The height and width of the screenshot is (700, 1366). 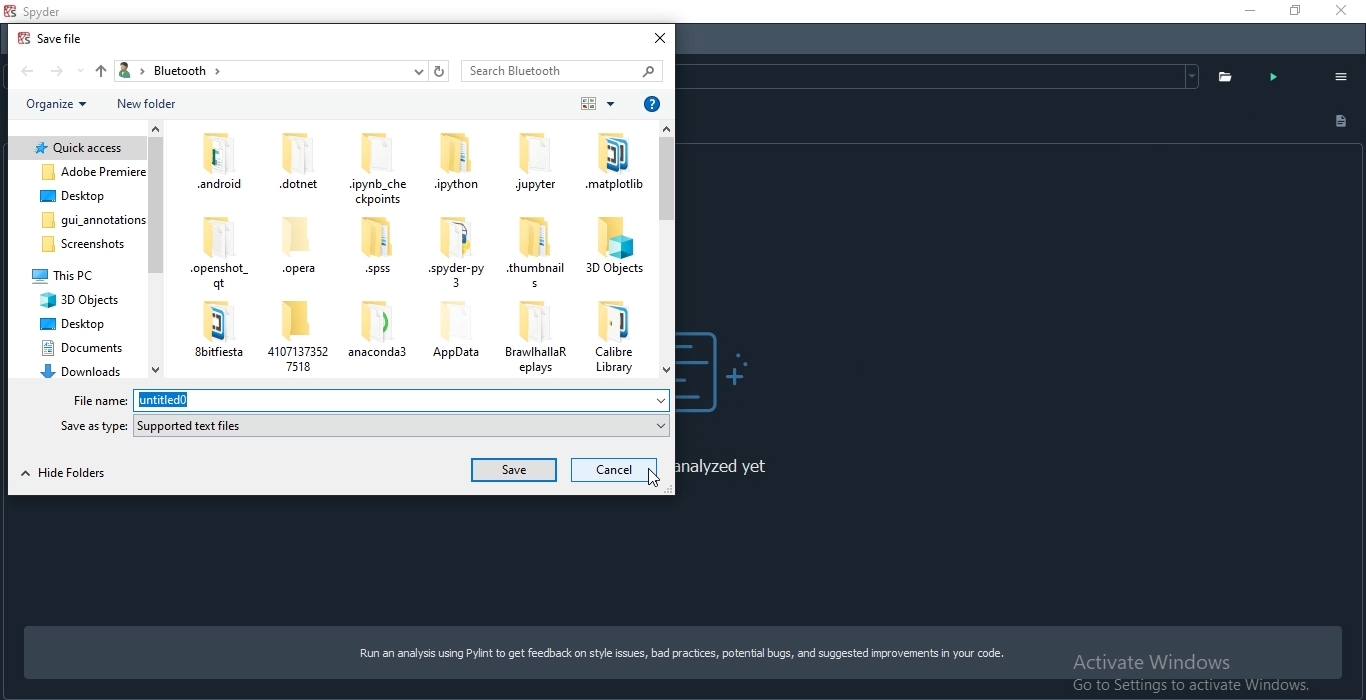 I want to click on scroll bar, so click(x=664, y=254).